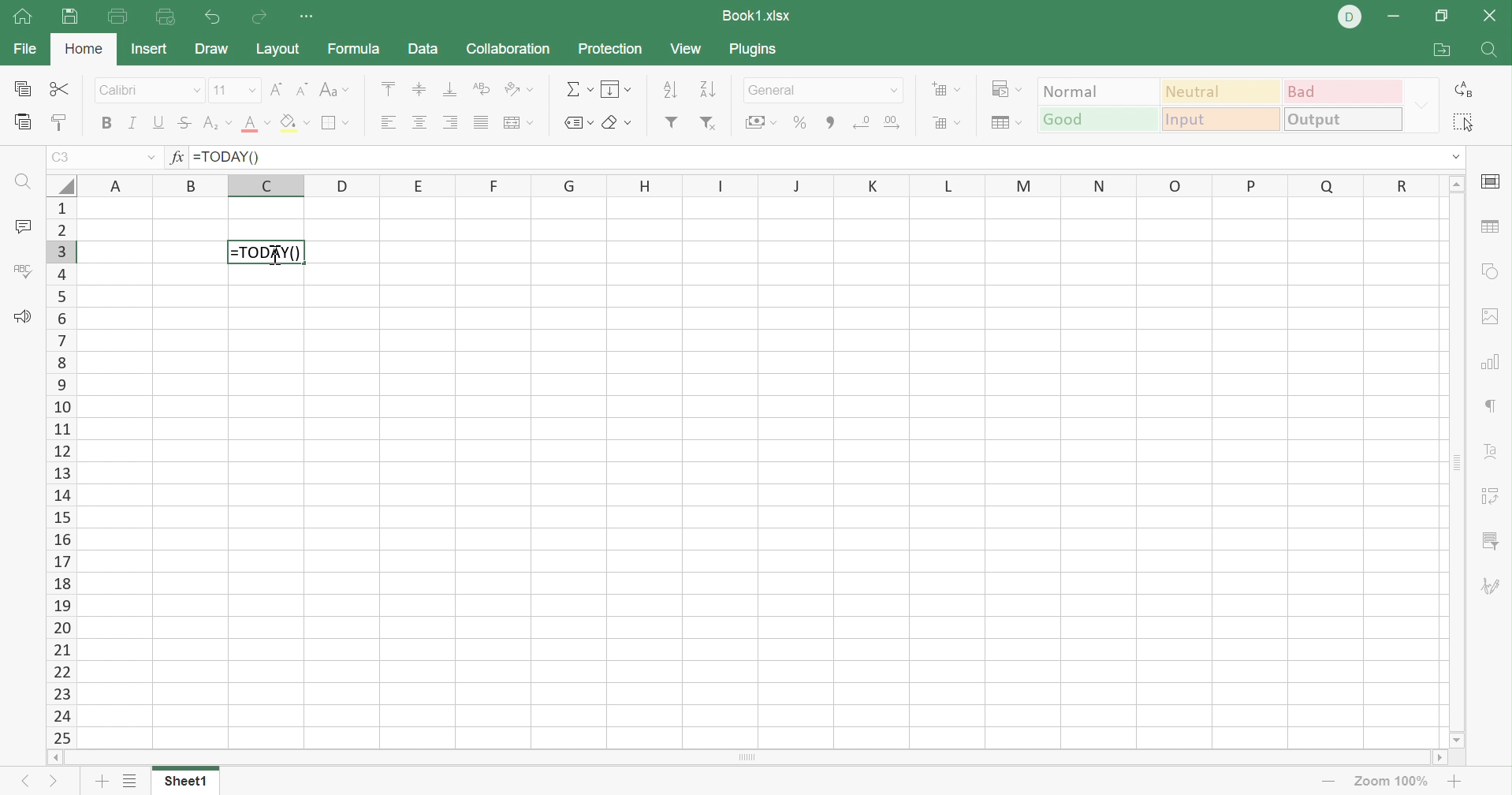  What do you see at coordinates (1456, 780) in the screenshot?
I see `Zoom in` at bounding box center [1456, 780].